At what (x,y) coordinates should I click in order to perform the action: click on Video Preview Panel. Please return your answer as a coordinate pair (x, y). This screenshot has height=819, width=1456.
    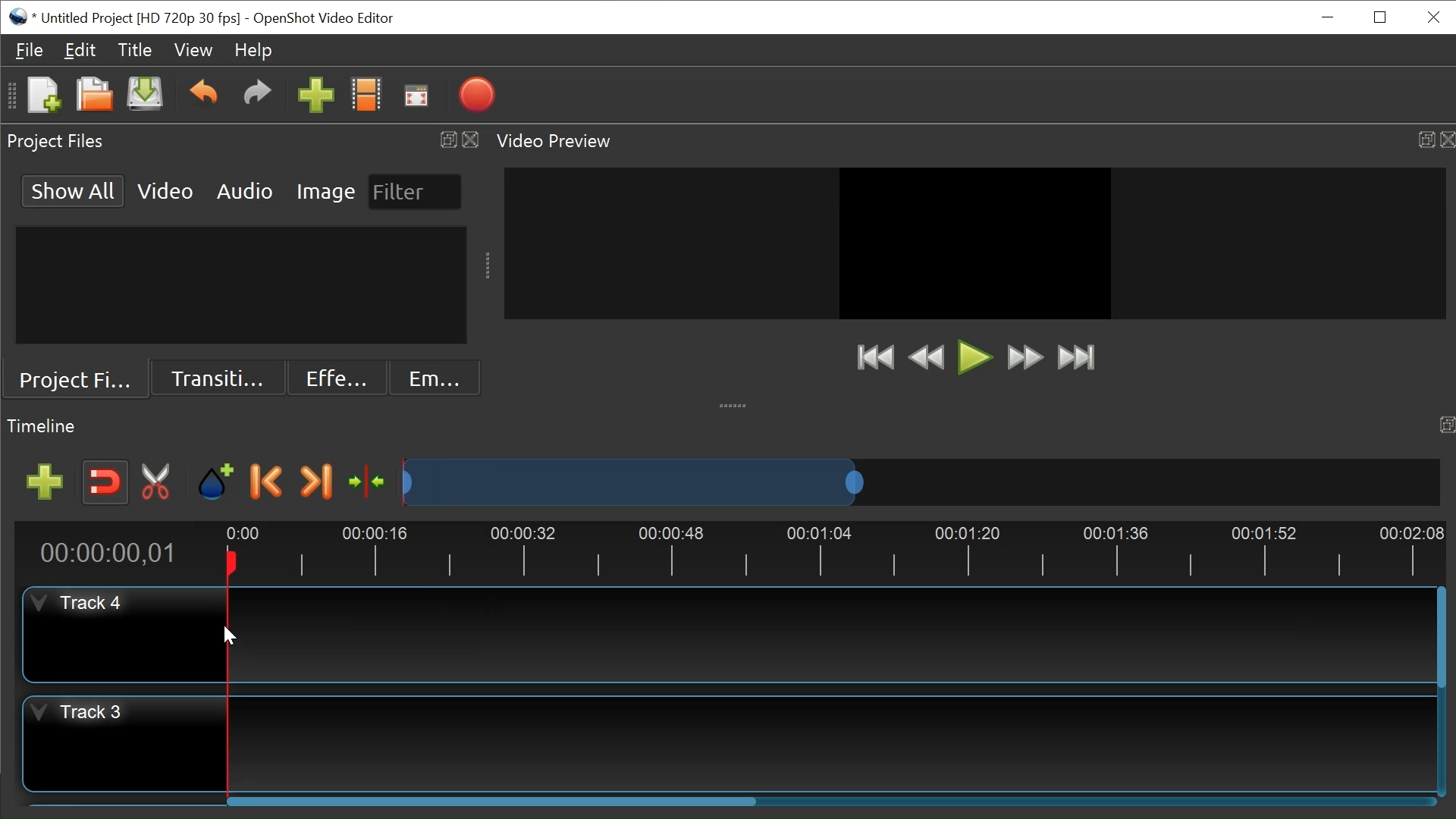
    Looking at the image, I should click on (972, 141).